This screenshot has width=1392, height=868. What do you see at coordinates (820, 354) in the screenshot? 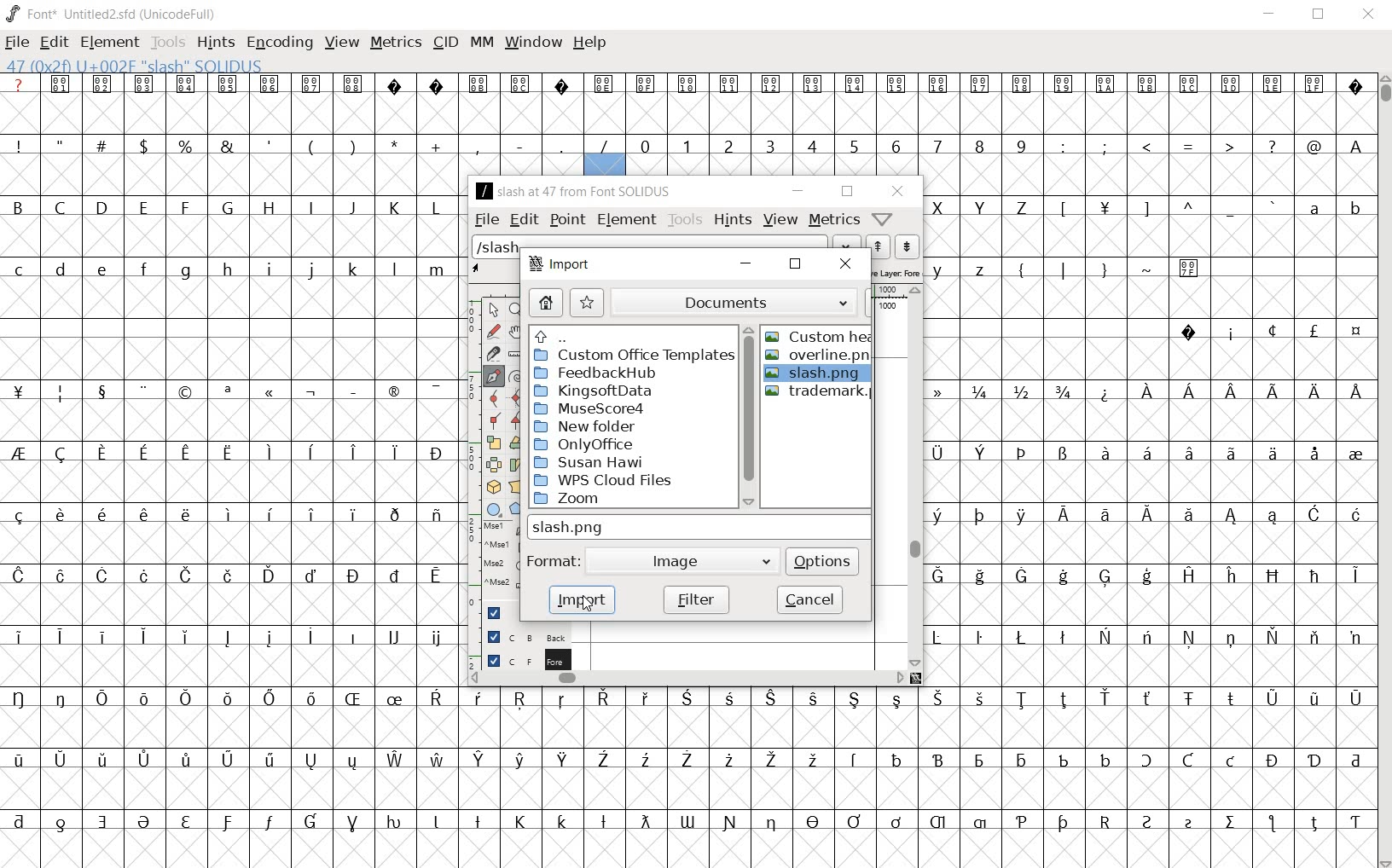
I see `overline.png` at bounding box center [820, 354].